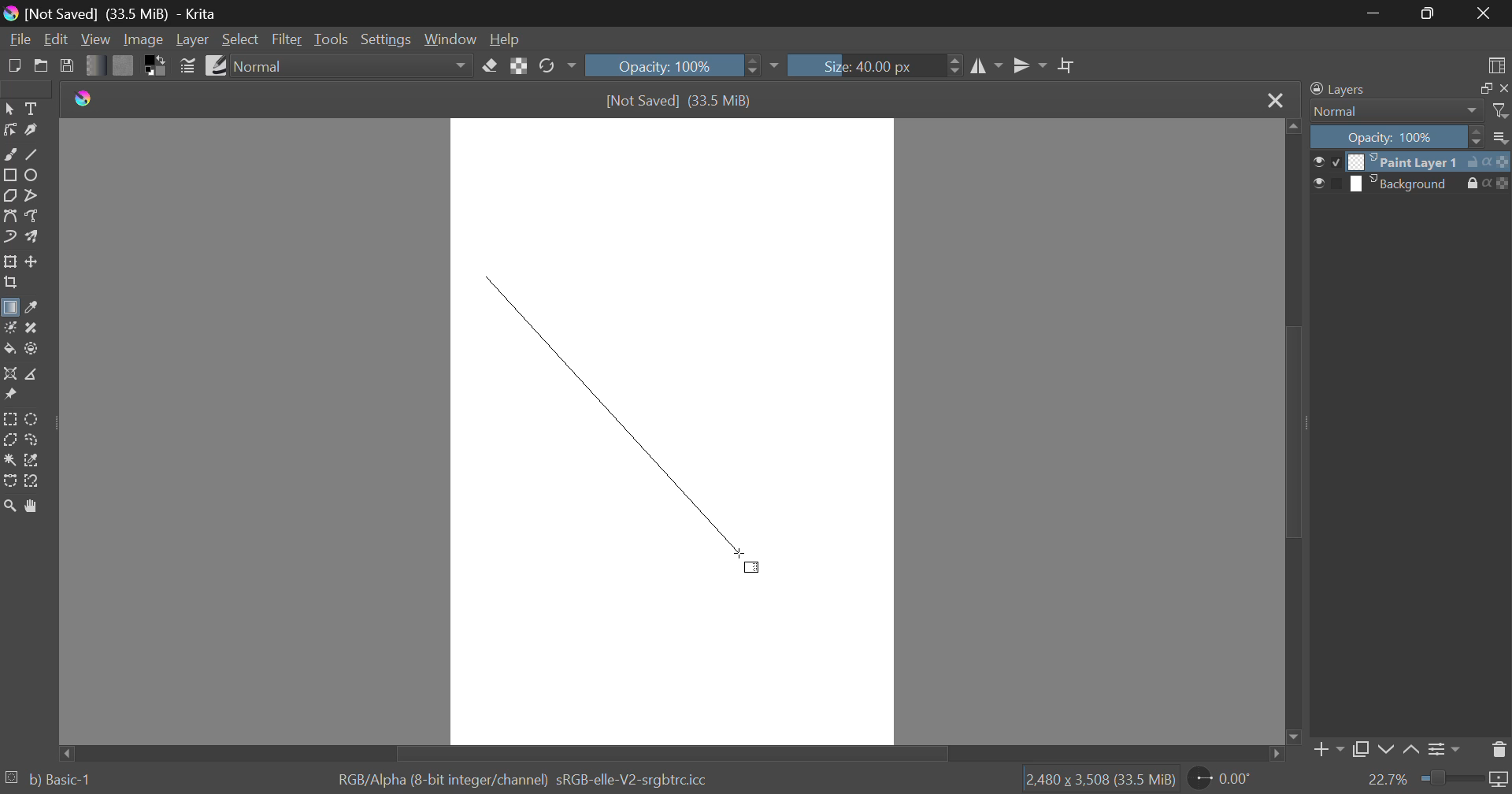 This screenshot has width=1512, height=794. I want to click on Text, so click(30, 107).